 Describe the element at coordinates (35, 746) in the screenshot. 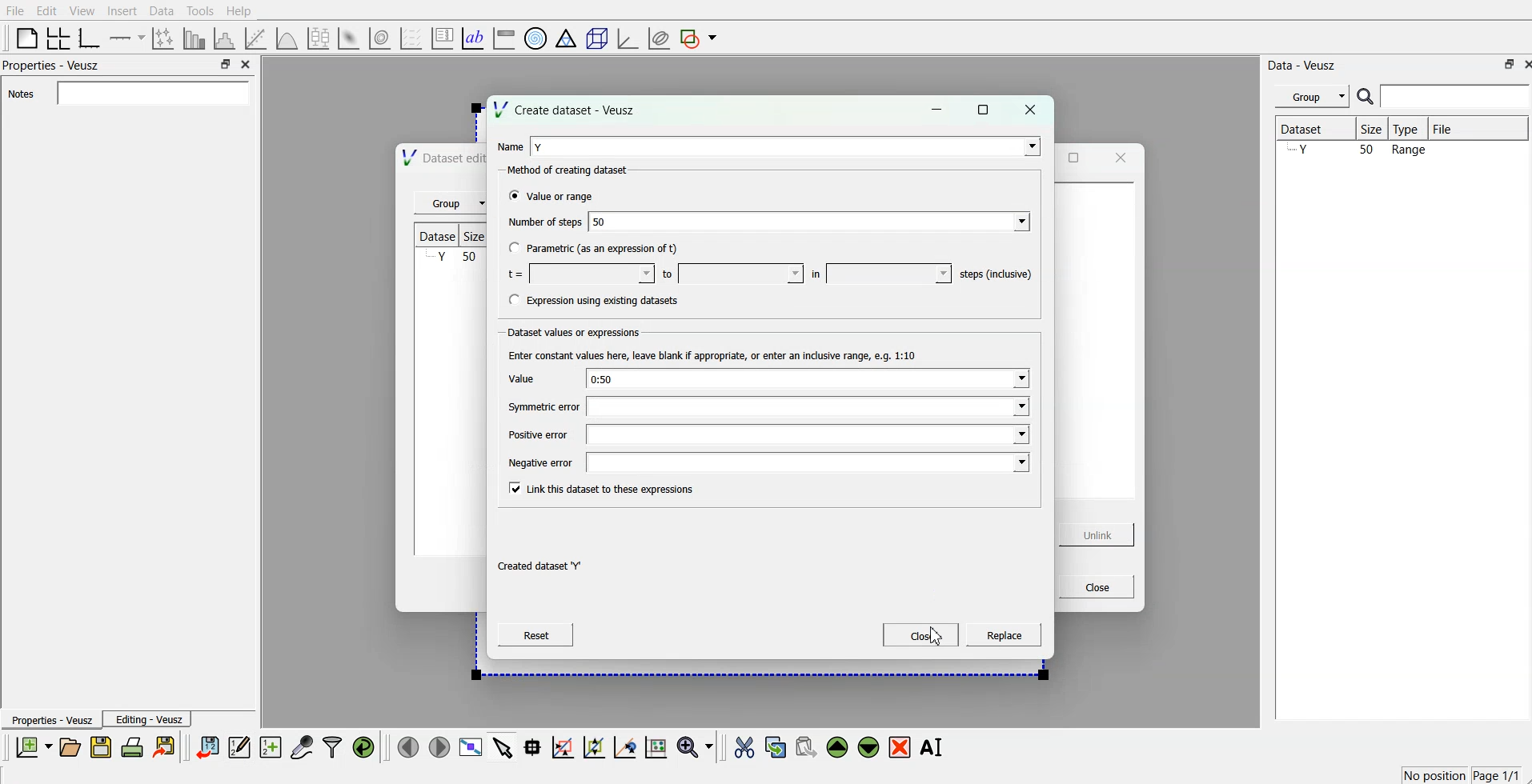

I see `new document` at that location.